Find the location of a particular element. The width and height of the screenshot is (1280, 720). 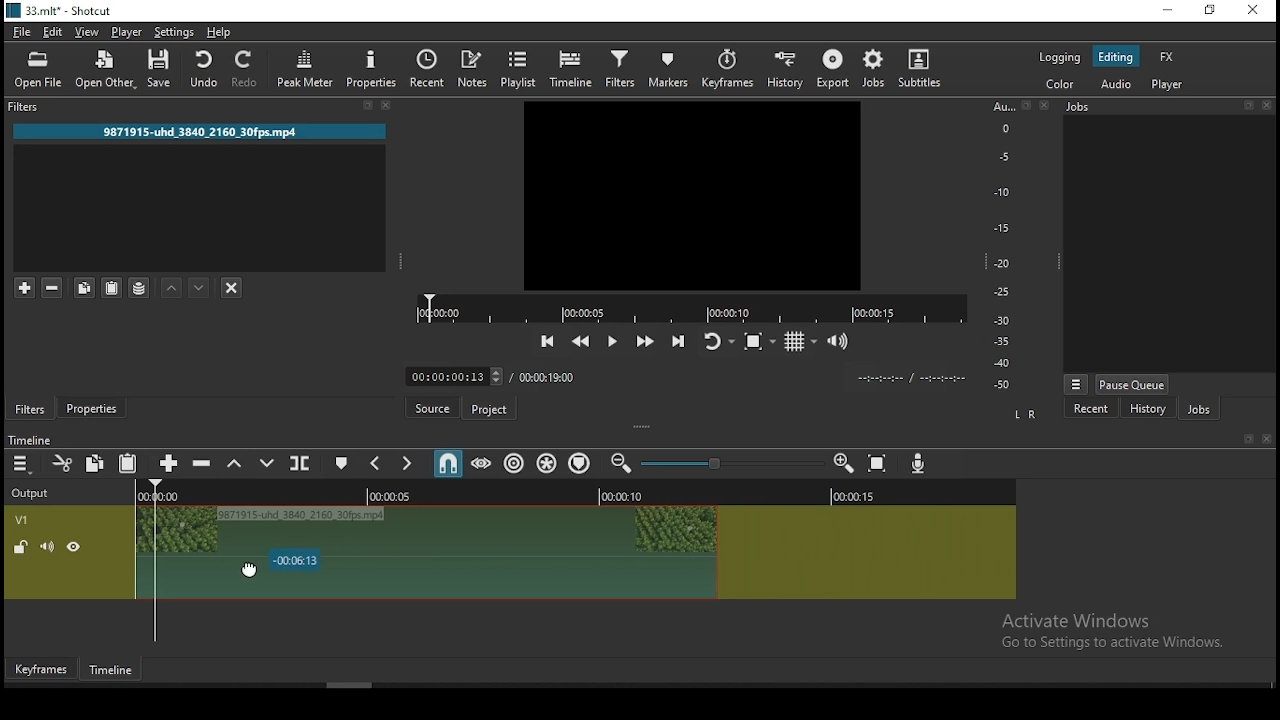

remove selected filters is located at coordinates (55, 285).